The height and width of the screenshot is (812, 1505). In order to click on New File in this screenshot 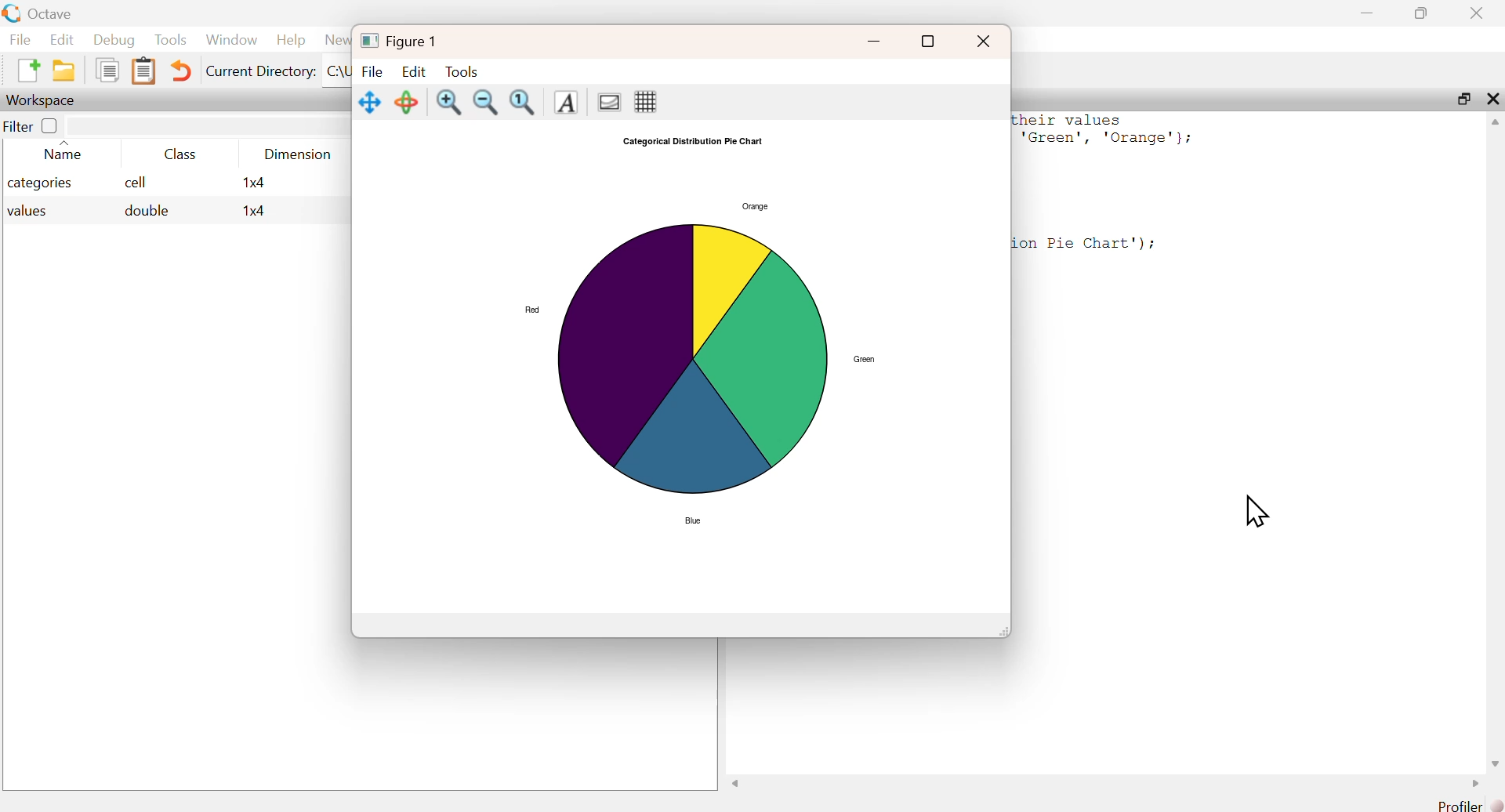, I will do `click(29, 71)`.